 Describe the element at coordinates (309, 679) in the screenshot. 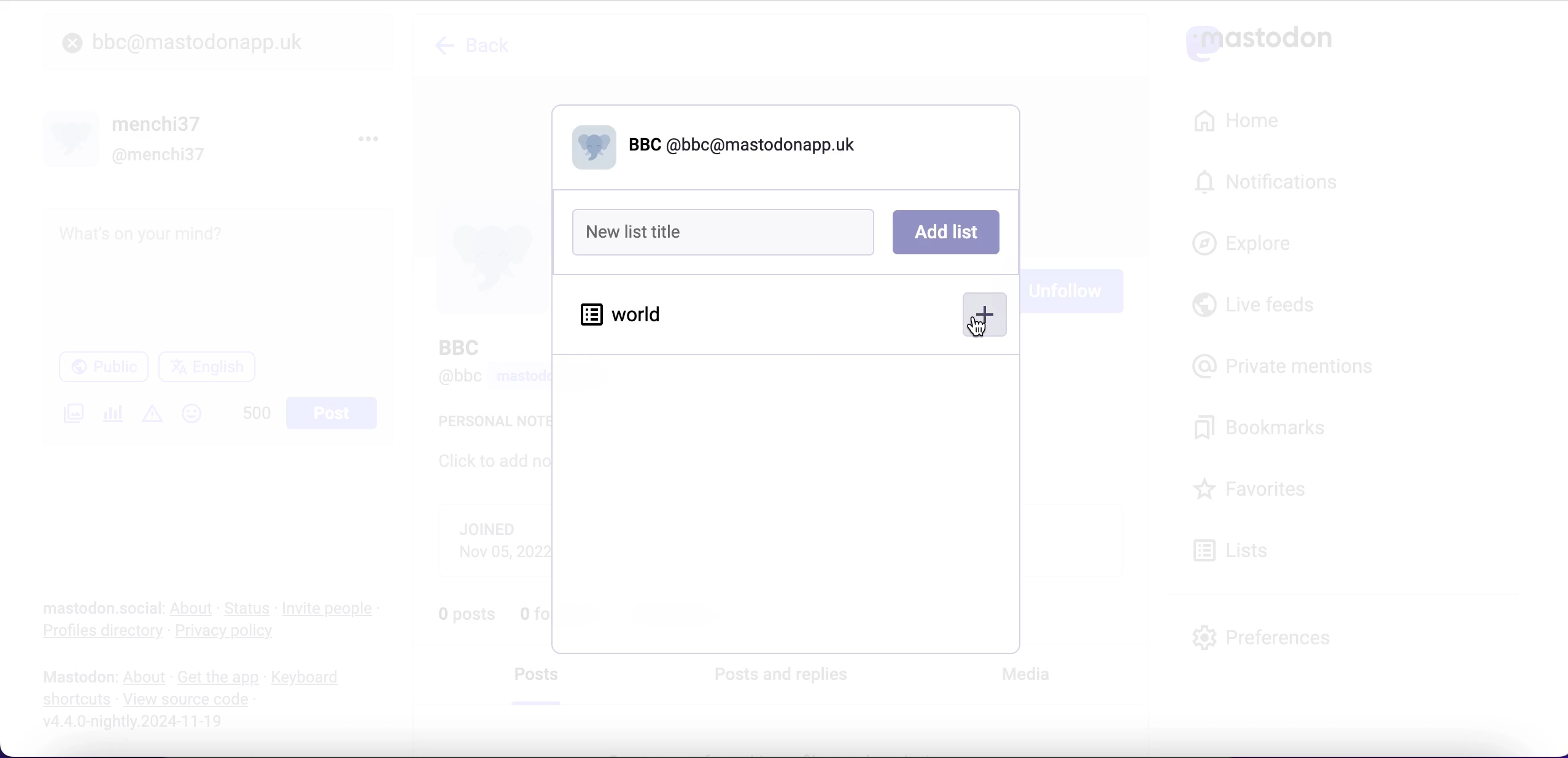

I see `keyboard` at that location.